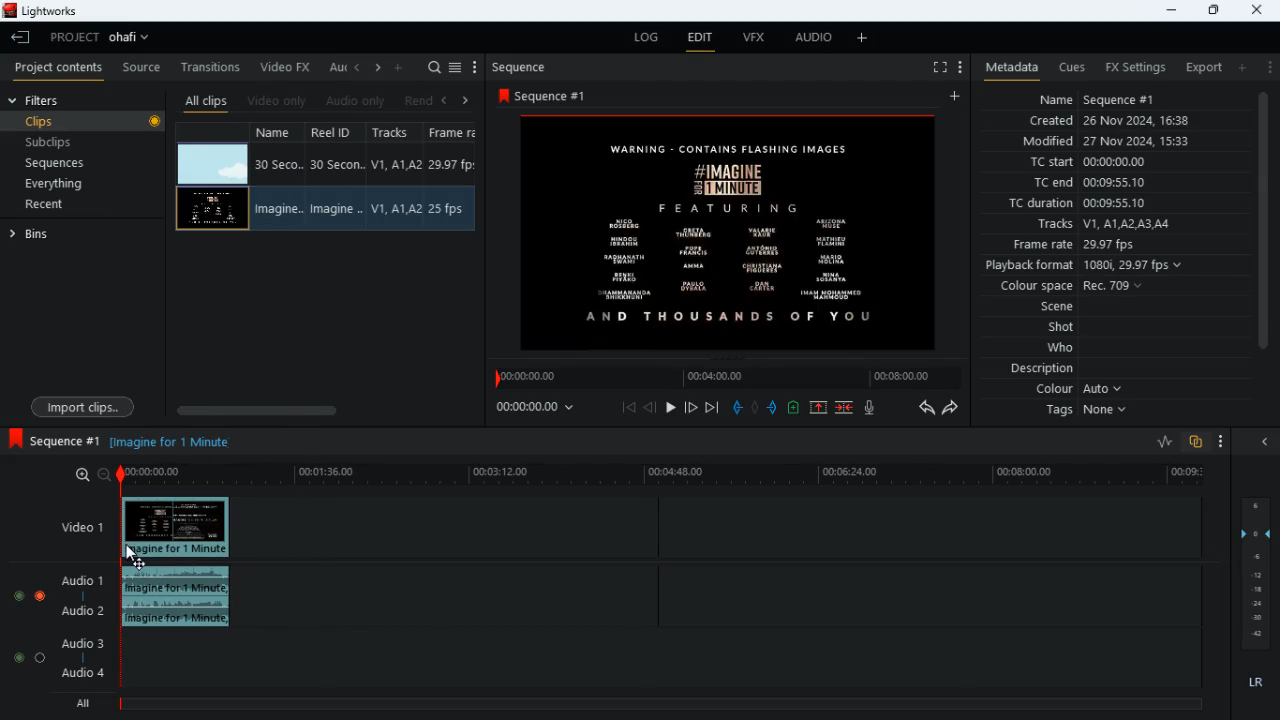 The height and width of the screenshot is (720, 1280). I want to click on toggle, so click(39, 657).